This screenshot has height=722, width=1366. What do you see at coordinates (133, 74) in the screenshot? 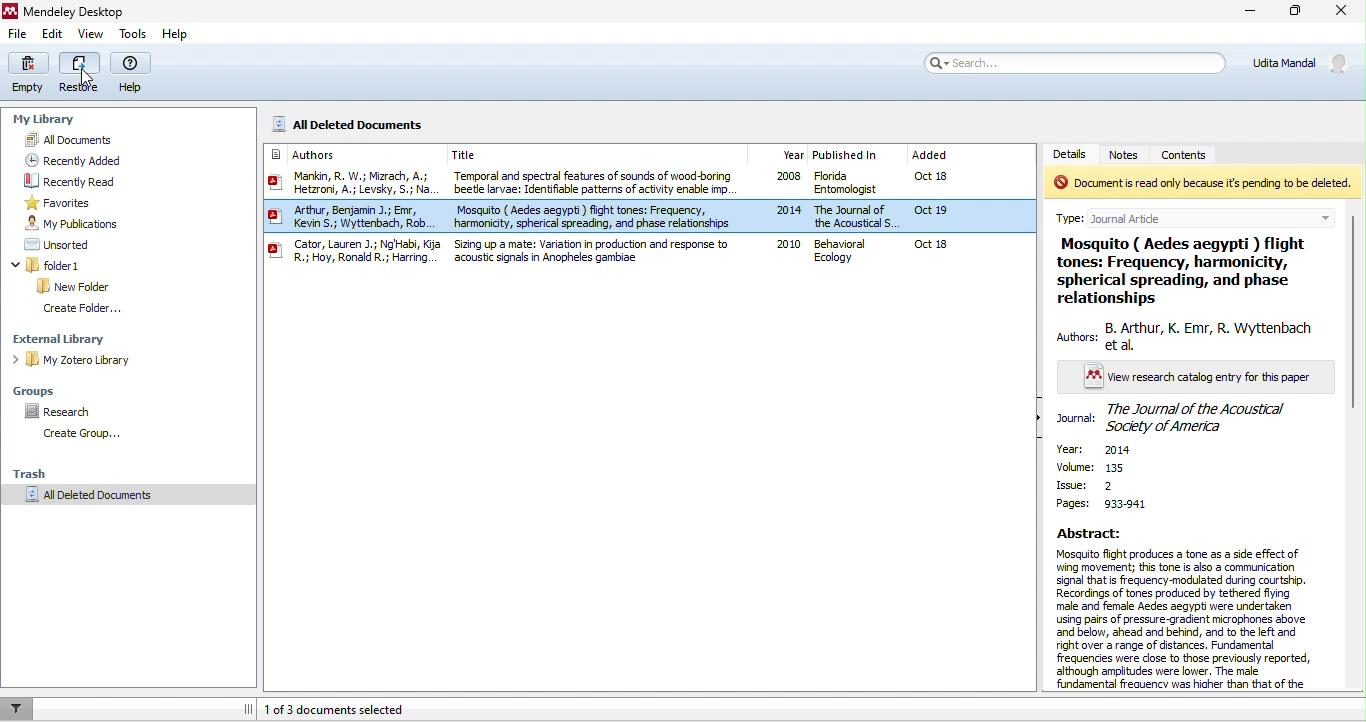
I see `help` at bounding box center [133, 74].